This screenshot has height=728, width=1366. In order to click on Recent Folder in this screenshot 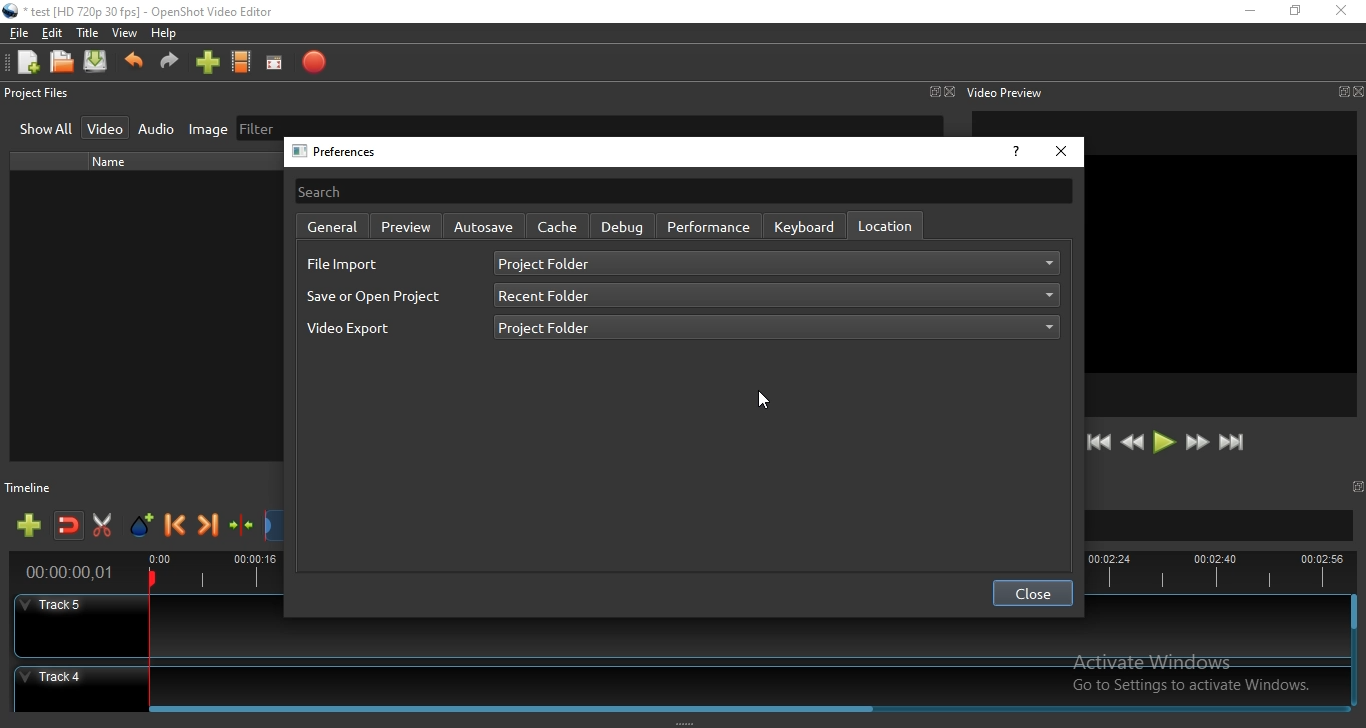, I will do `click(775, 297)`.